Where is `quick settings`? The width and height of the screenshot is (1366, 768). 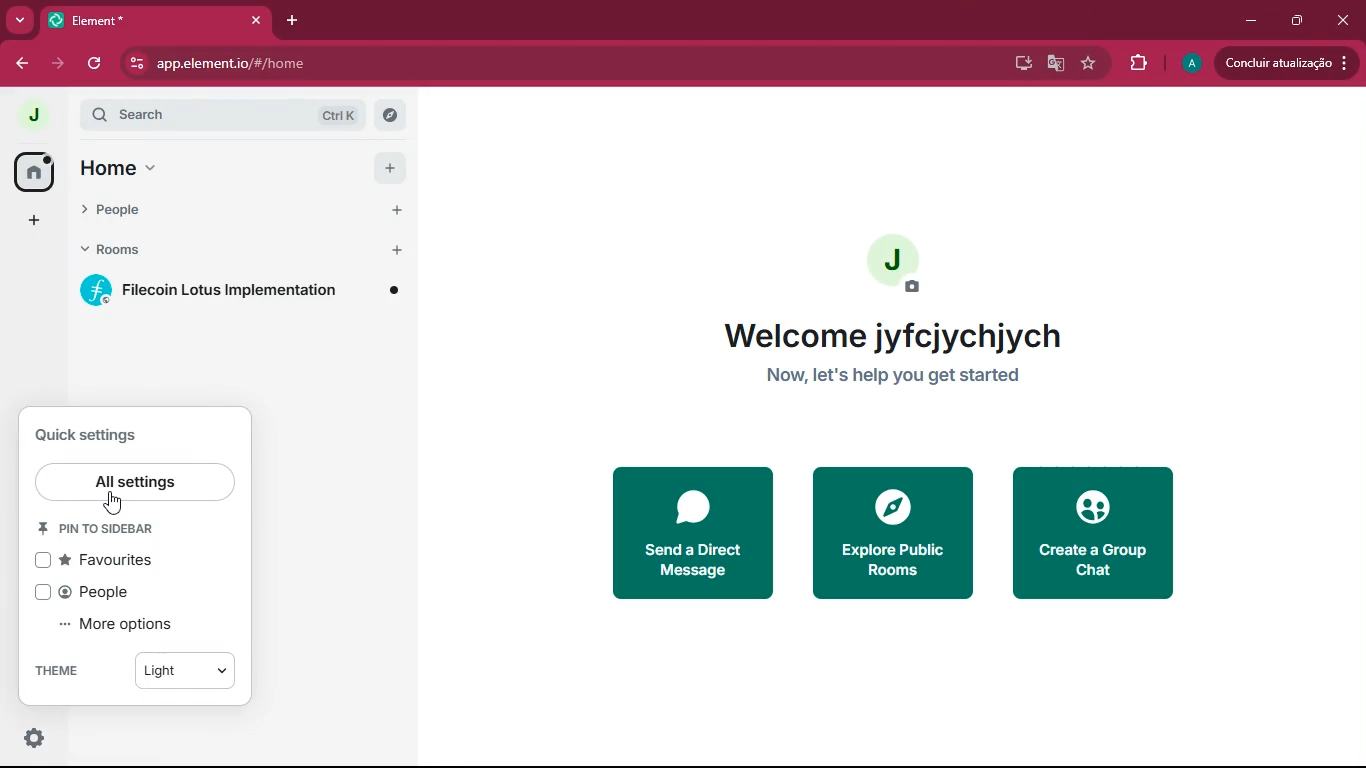
quick settings is located at coordinates (96, 434).